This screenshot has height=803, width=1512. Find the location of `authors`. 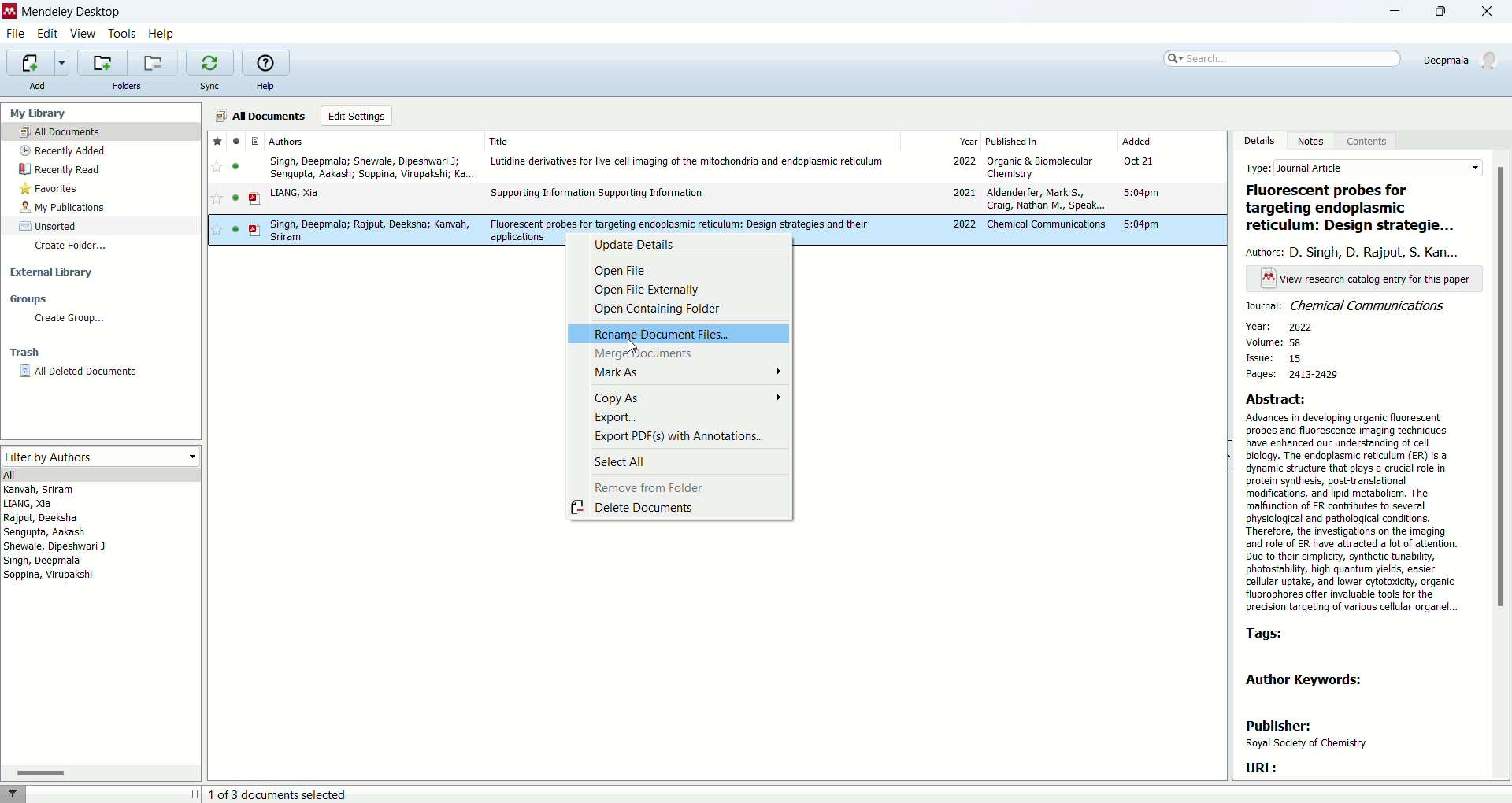

authors is located at coordinates (298, 142).